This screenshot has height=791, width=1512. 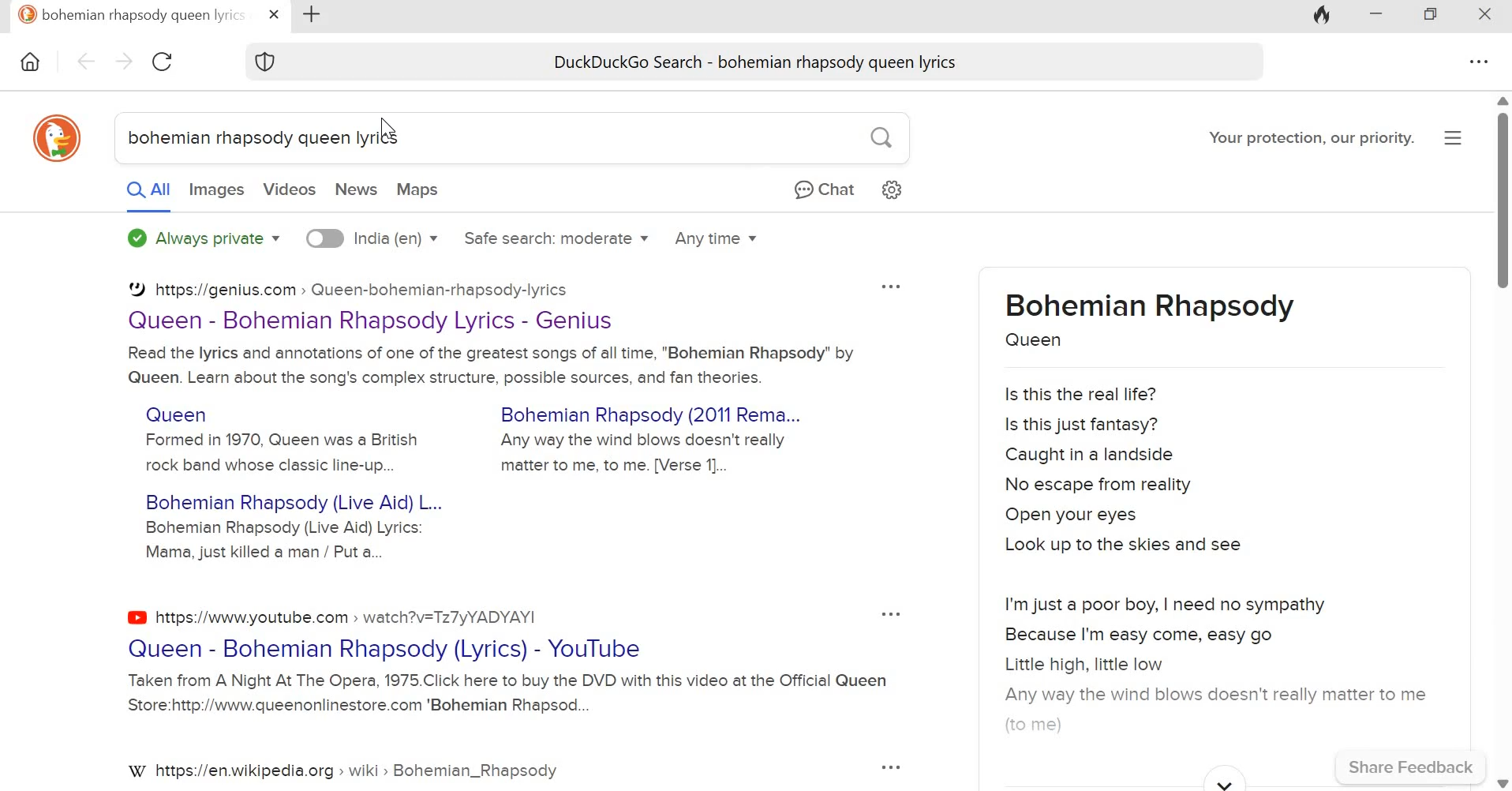 What do you see at coordinates (1431, 16) in the screenshot?
I see `Maximize` at bounding box center [1431, 16].